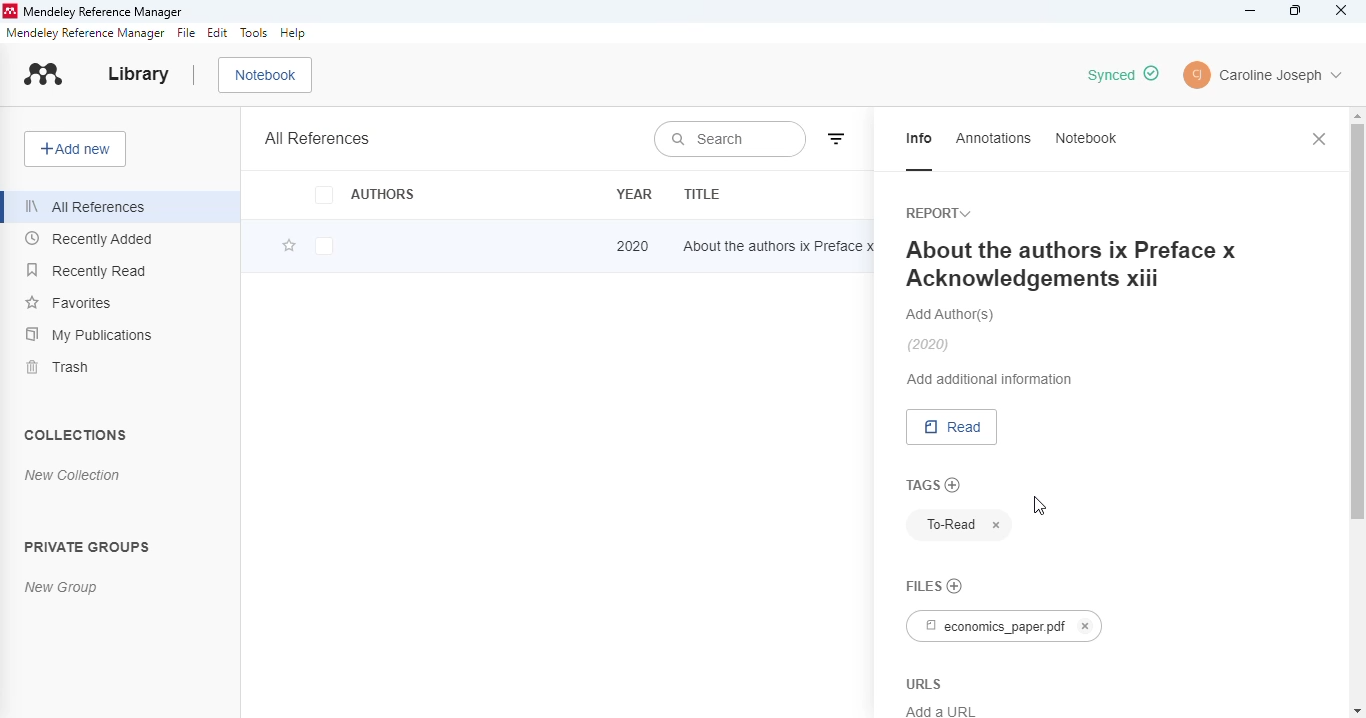 The height and width of the screenshot is (718, 1366). What do you see at coordinates (839, 136) in the screenshot?
I see `filter by` at bounding box center [839, 136].